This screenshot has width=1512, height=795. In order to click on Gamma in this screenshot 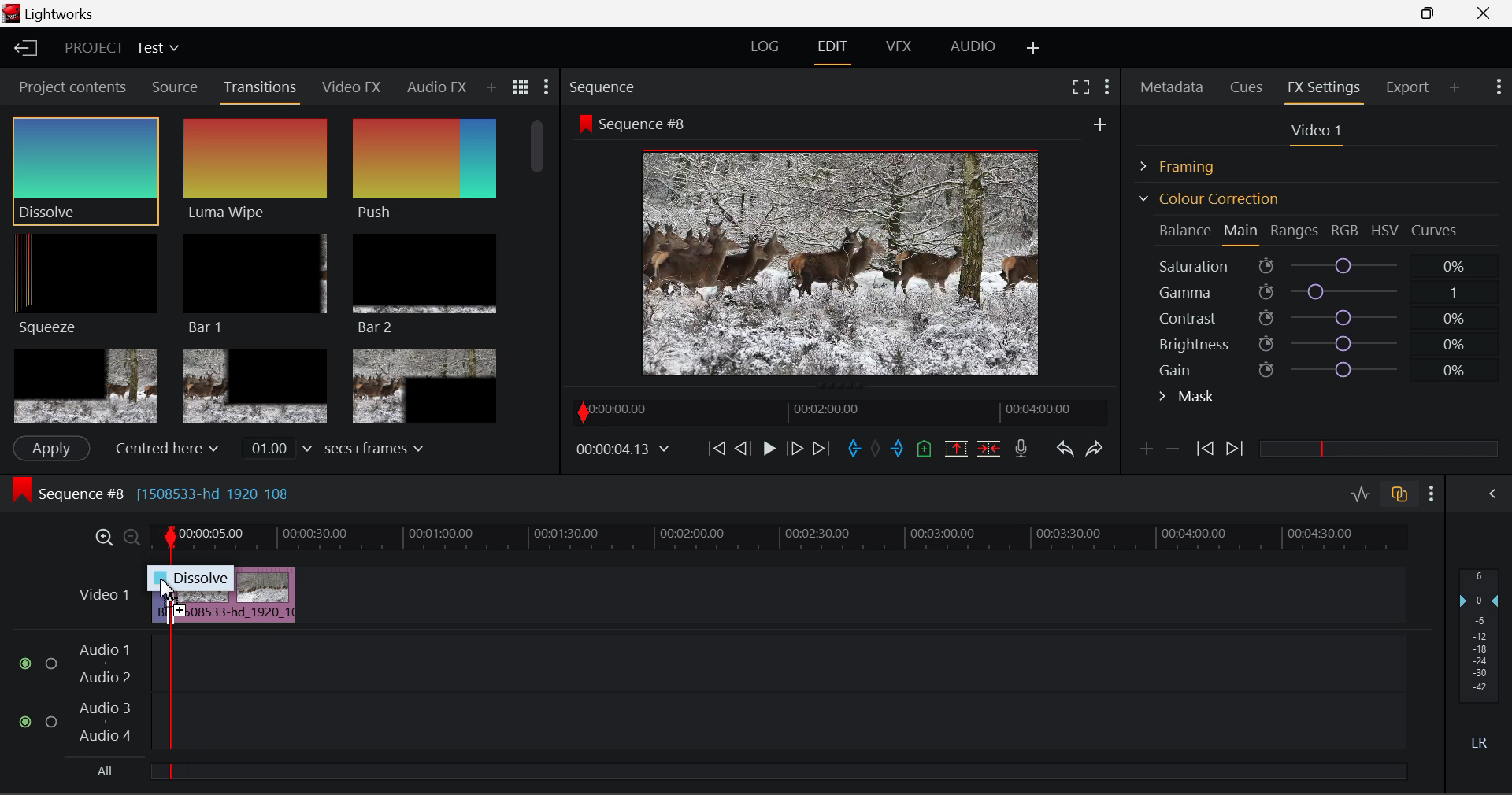, I will do `click(1320, 292)`.